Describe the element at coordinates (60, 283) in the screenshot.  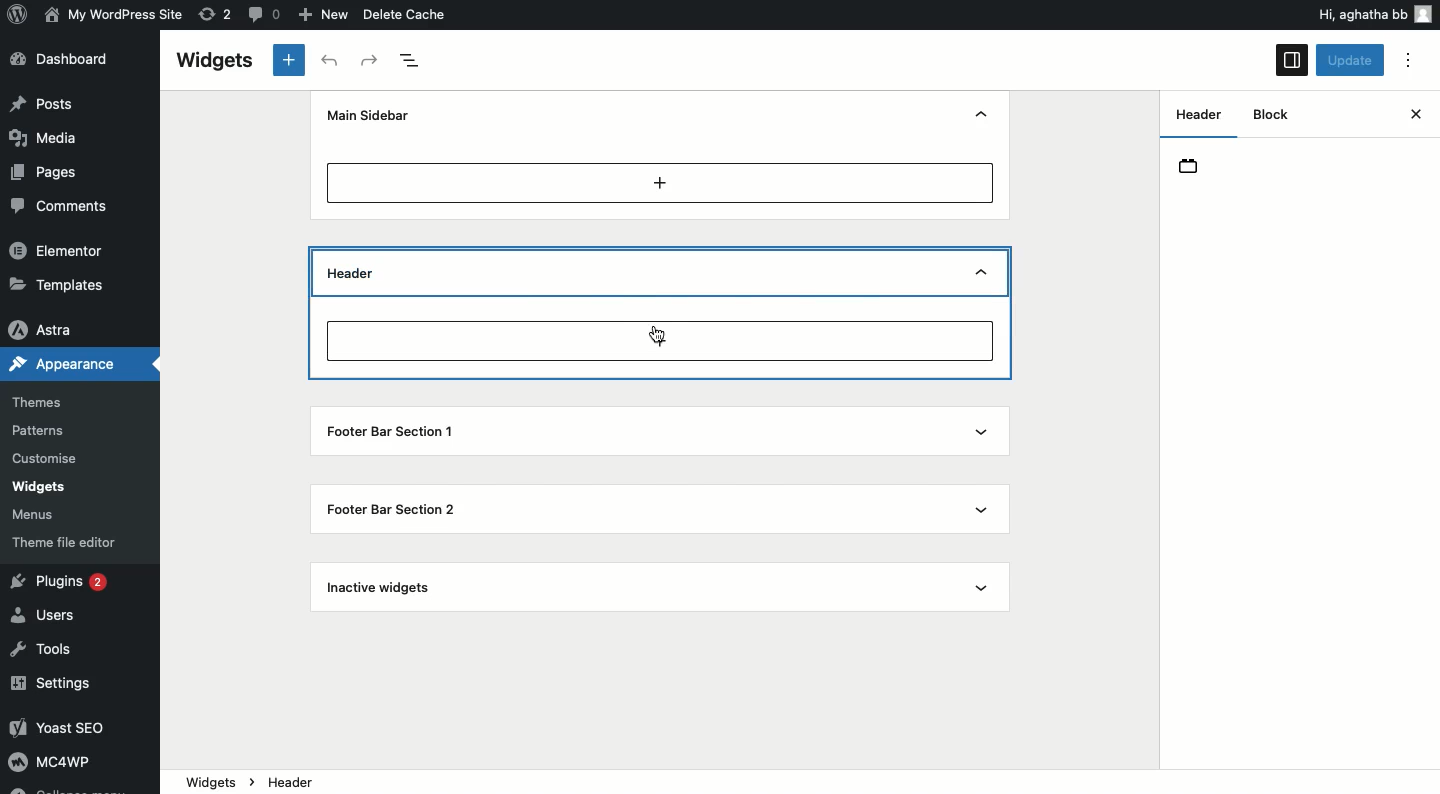
I see `Templates` at that location.